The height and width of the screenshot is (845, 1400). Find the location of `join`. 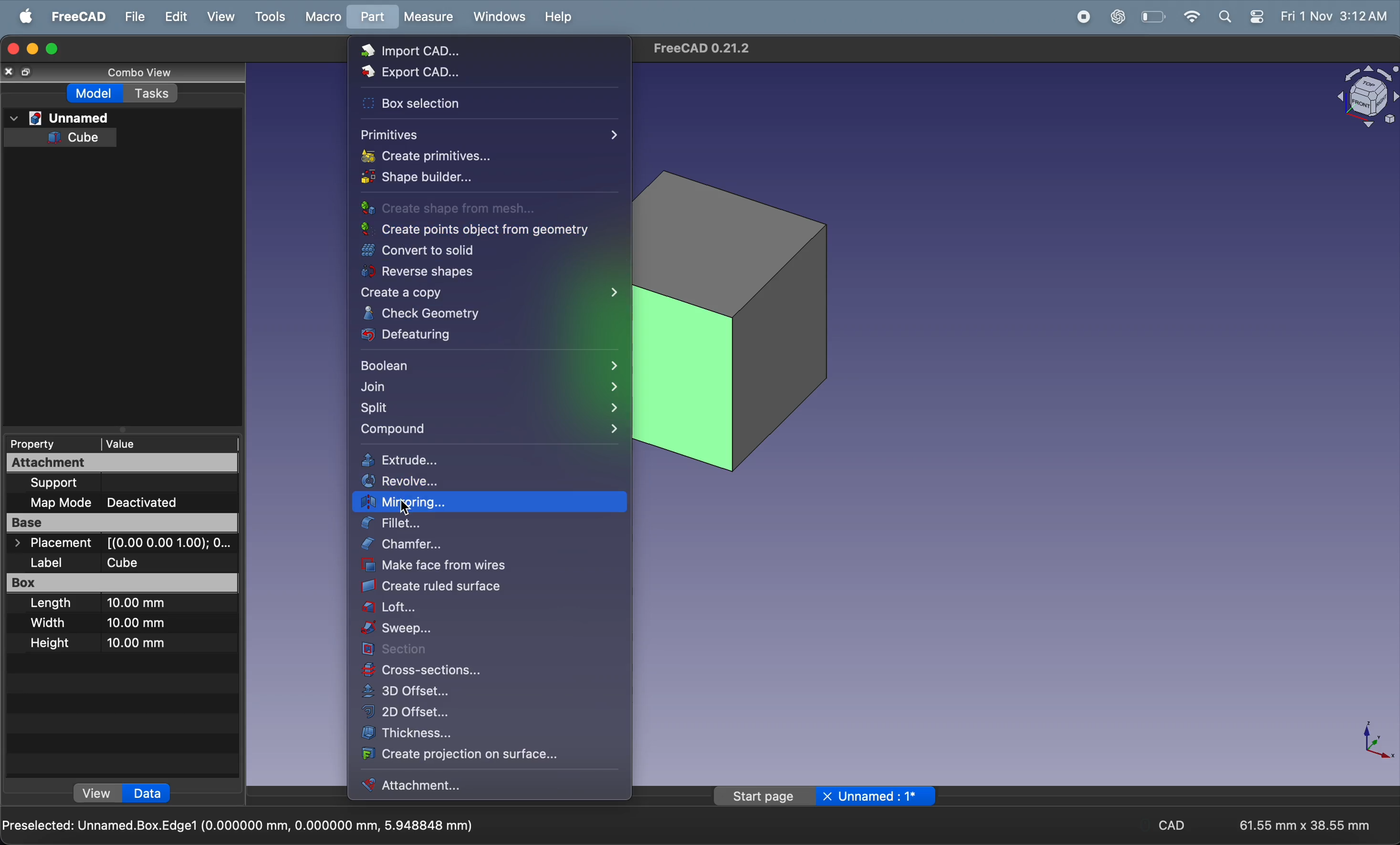

join is located at coordinates (491, 390).